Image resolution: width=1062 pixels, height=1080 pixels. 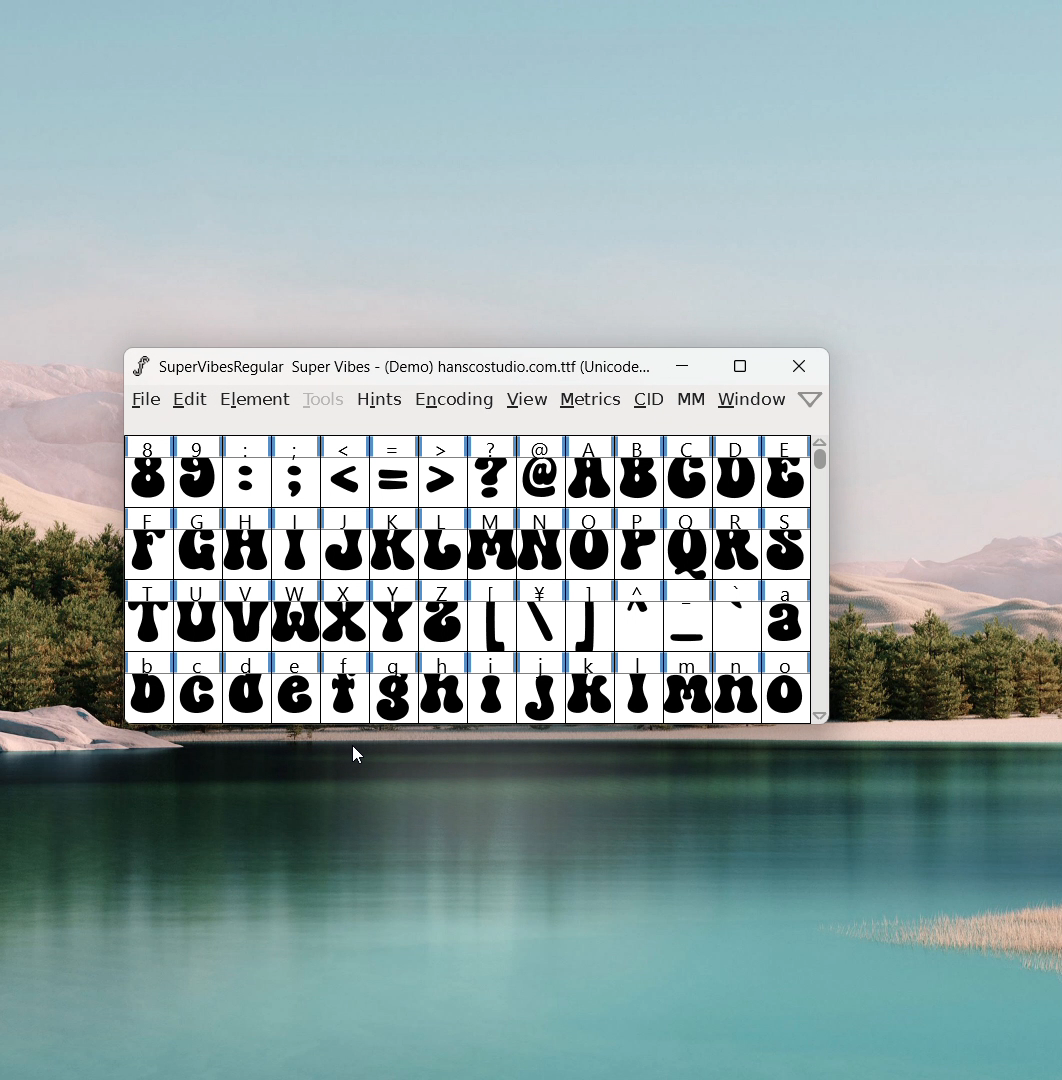 What do you see at coordinates (738, 471) in the screenshot?
I see `D` at bounding box center [738, 471].